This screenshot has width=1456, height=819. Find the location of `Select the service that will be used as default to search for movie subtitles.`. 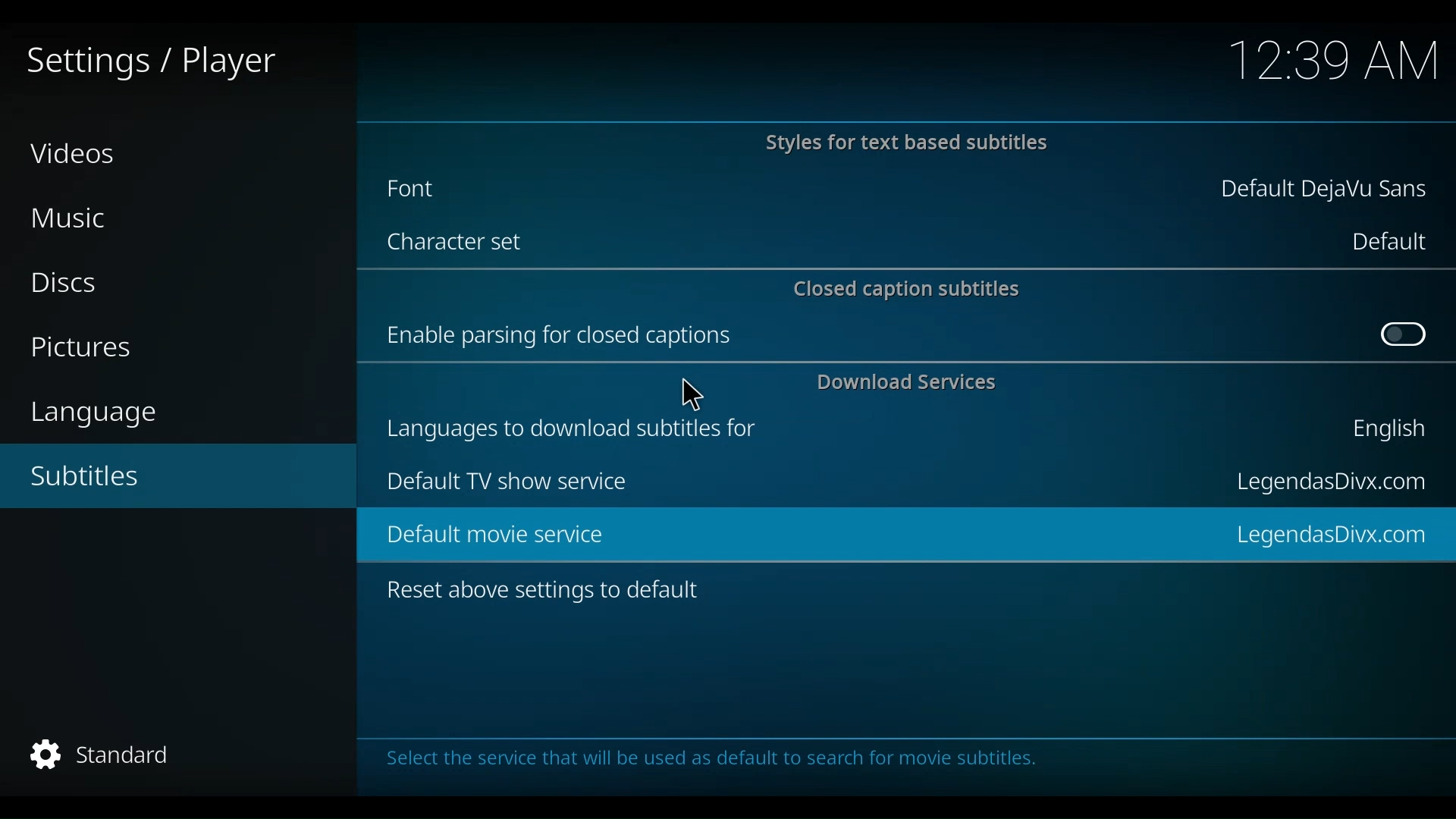

Select the service that will be used as default to search for movie subtitles. is located at coordinates (713, 761).